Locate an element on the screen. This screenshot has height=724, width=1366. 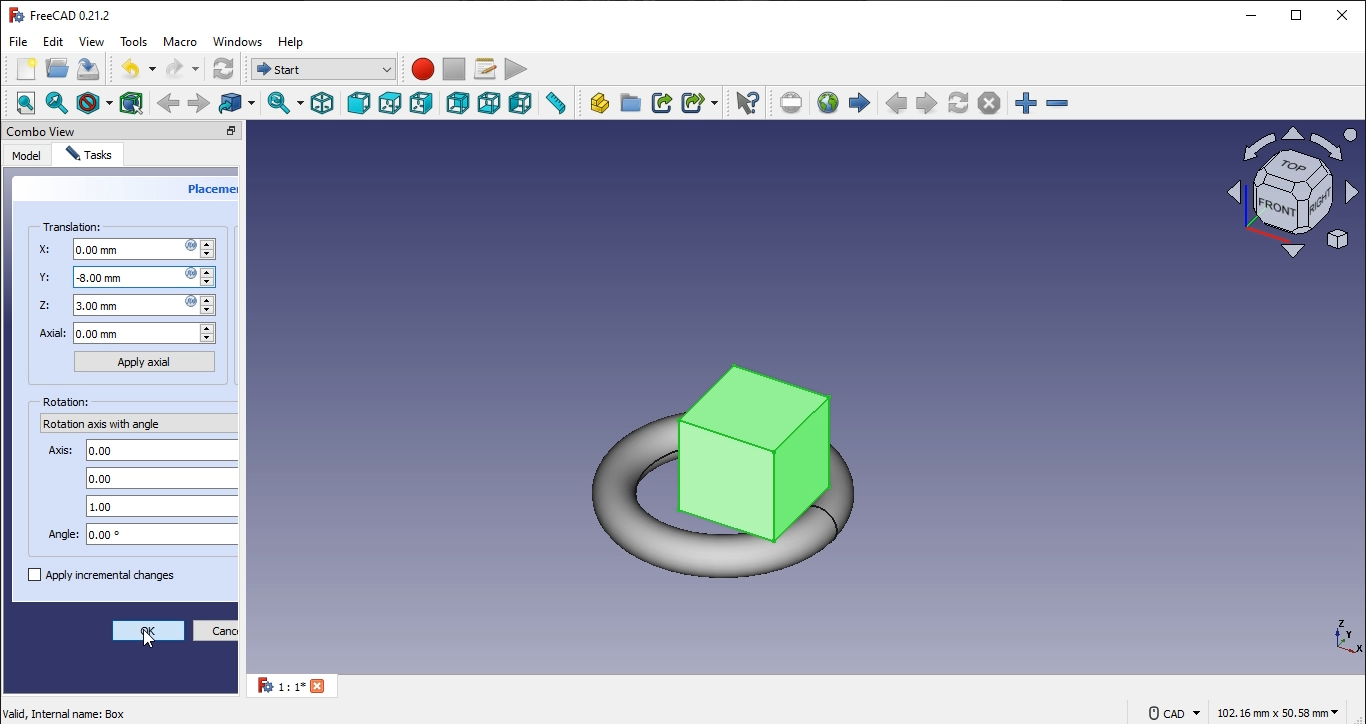
navigation is located at coordinates (153, 645).